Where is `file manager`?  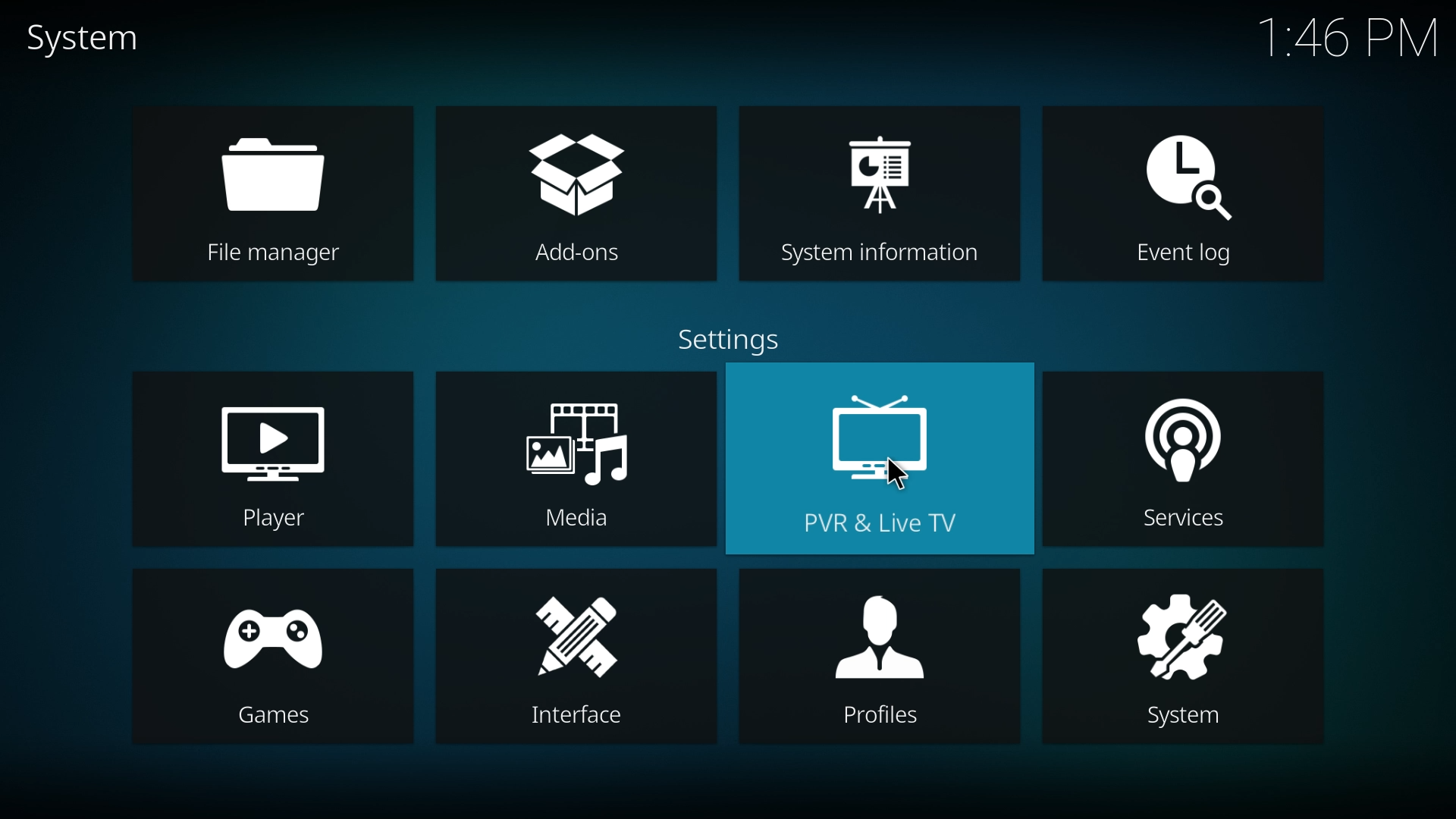
file manager is located at coordinates (279, 193).